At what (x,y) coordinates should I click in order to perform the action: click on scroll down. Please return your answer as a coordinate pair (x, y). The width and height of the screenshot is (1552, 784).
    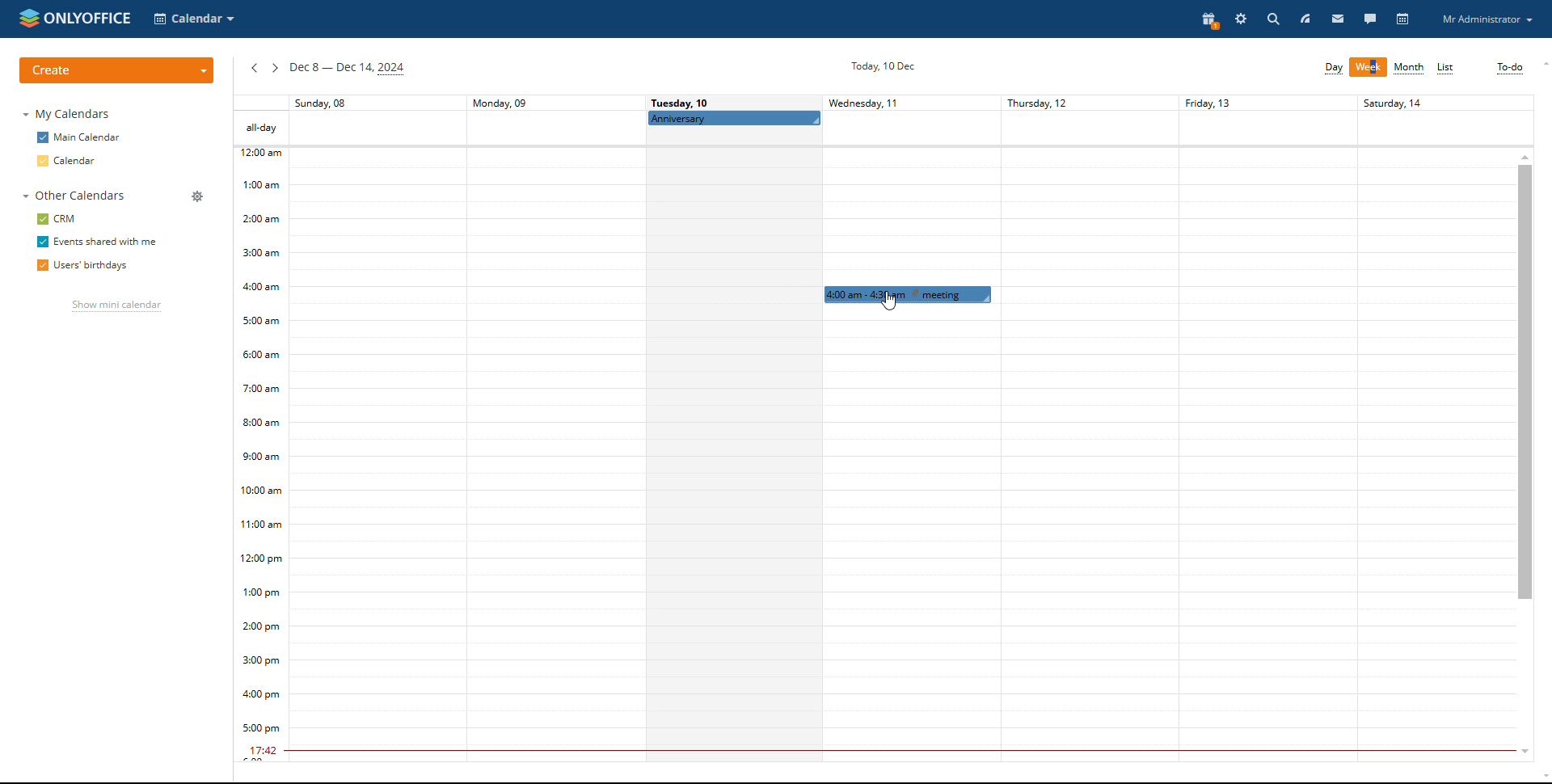
    Looking at the image, I should click on (1520, 753).